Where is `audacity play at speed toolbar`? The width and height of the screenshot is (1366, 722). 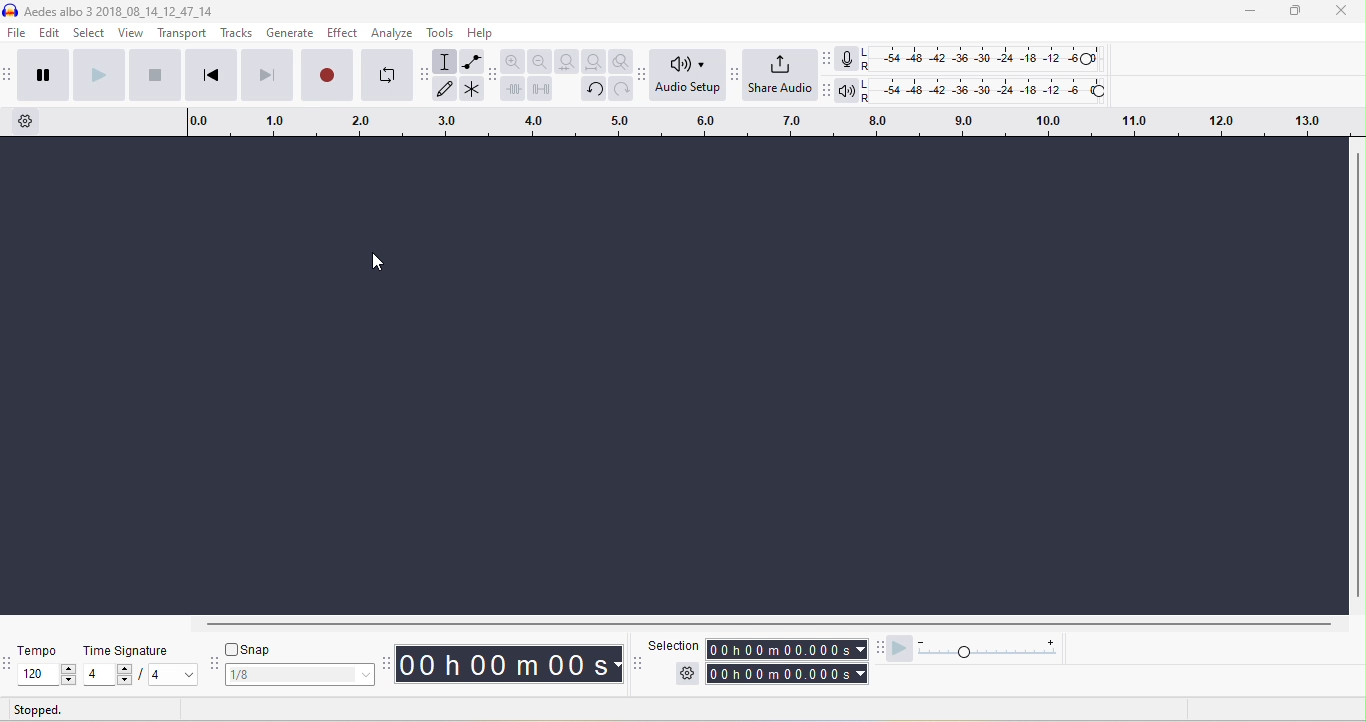
audacity play at speed toolbar is located at coordinates (881, 648).